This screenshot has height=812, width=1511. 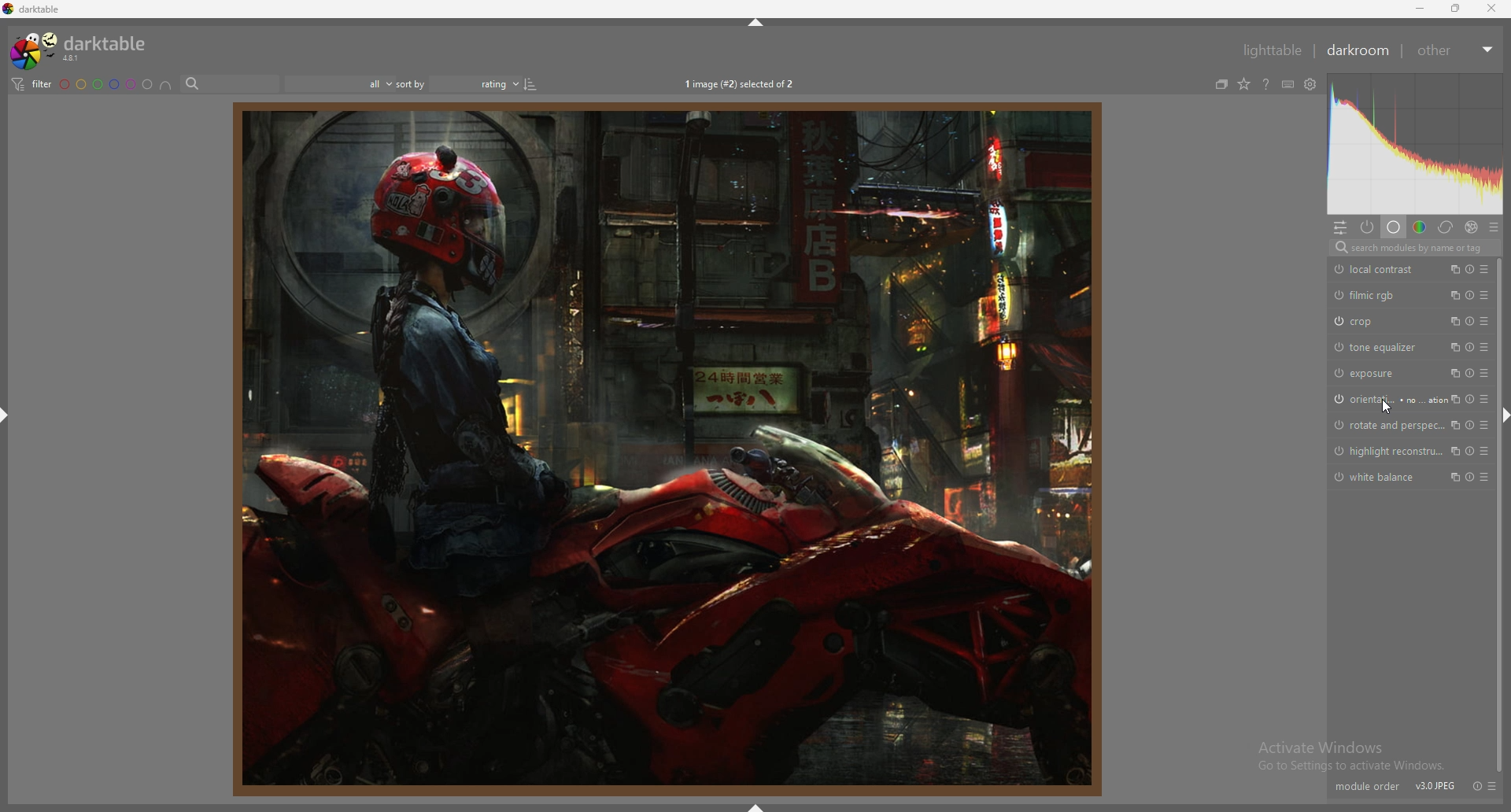 What do you see at coordinates (757, 806) in the screenshot?
I see `hide` at bounding box center [757, 806].